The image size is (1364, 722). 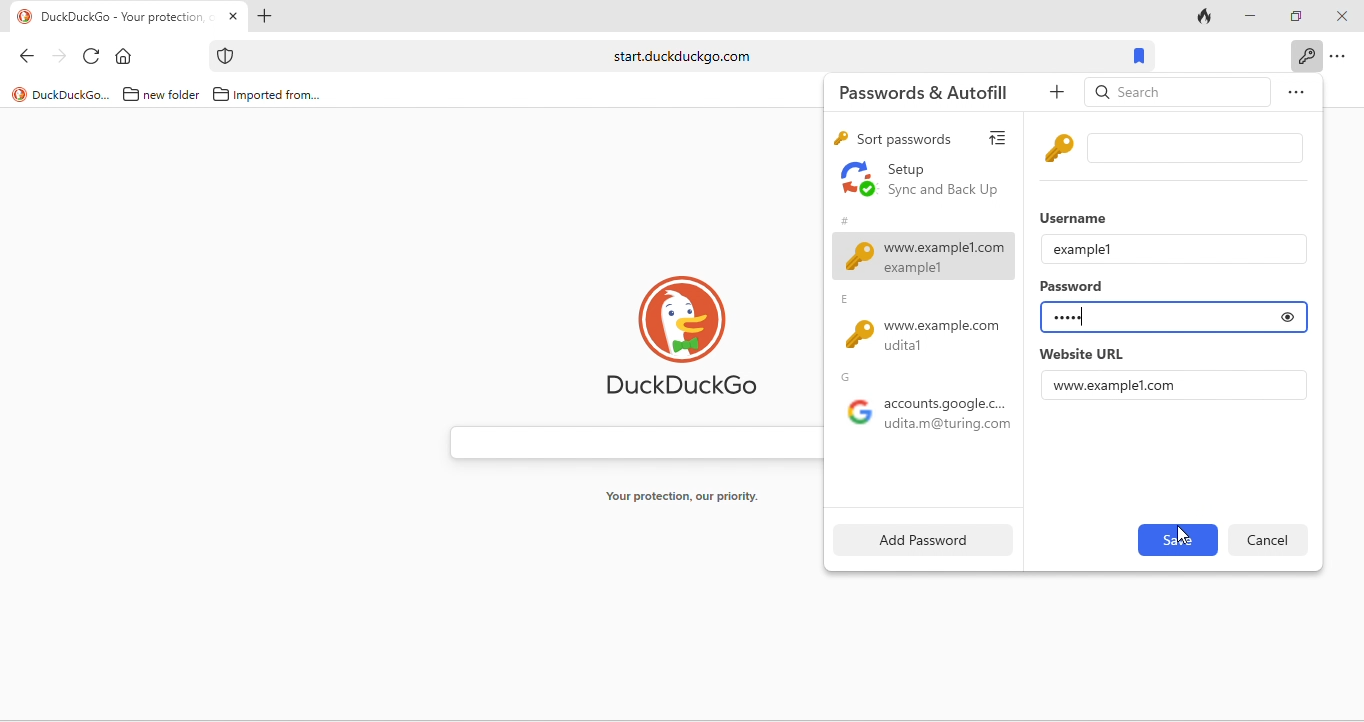 I want to click on username, so click(x=1078, y=216).